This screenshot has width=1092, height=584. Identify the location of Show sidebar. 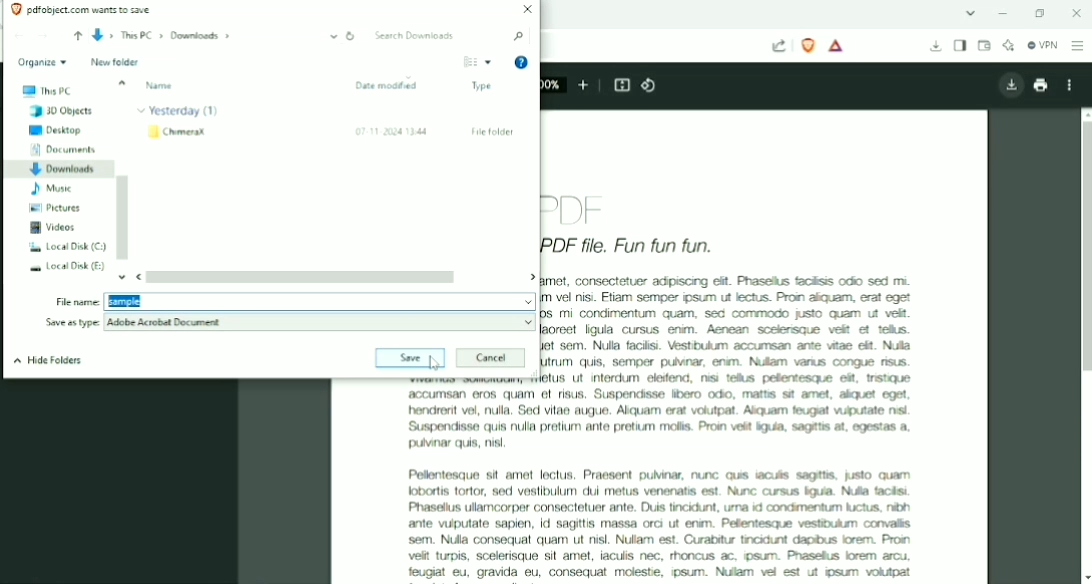
(960, 46).